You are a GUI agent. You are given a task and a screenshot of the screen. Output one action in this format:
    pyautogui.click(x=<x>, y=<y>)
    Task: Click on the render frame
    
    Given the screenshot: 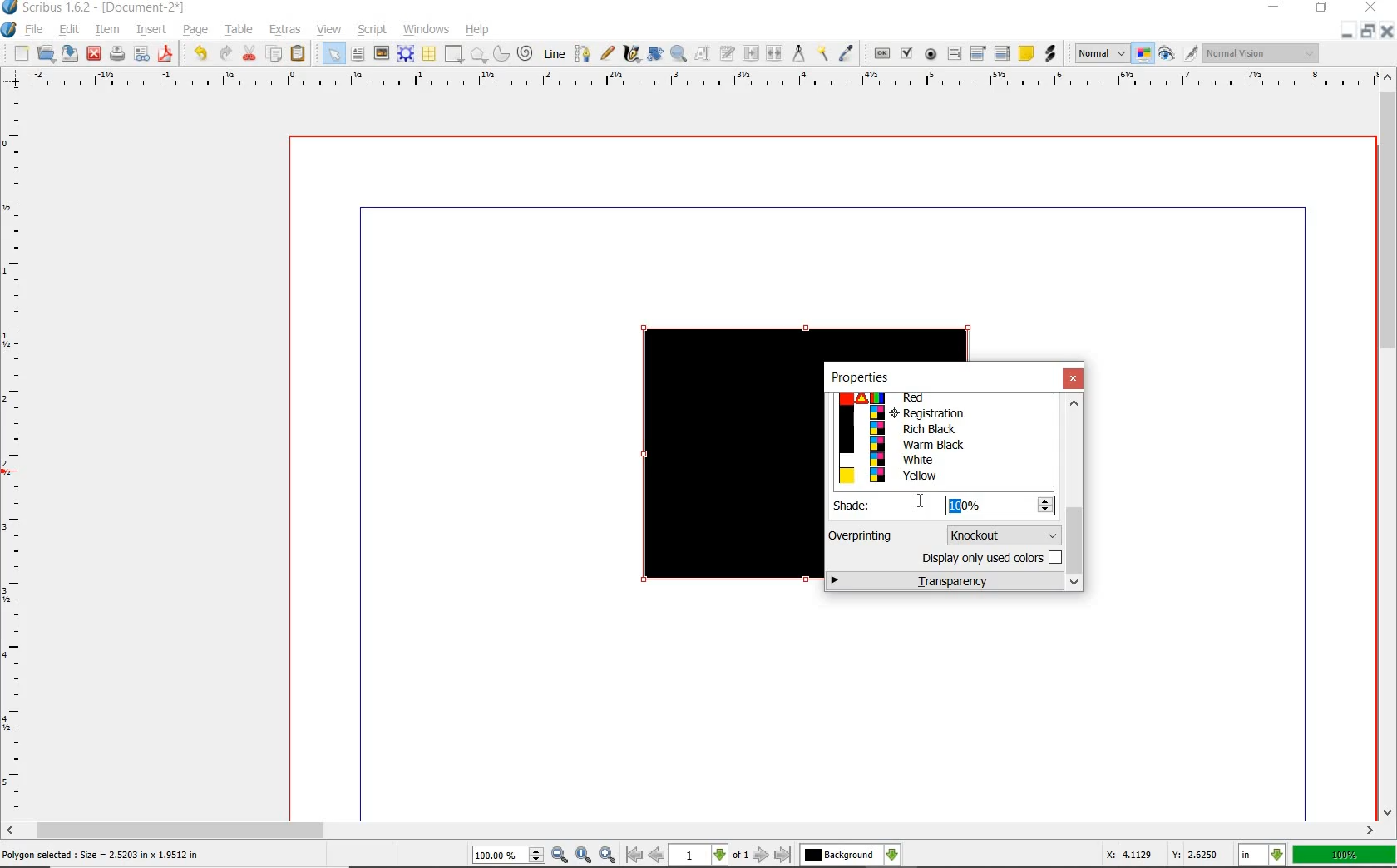 What is the action you would take?
    pyautogui.click(x=404, y=53)
    